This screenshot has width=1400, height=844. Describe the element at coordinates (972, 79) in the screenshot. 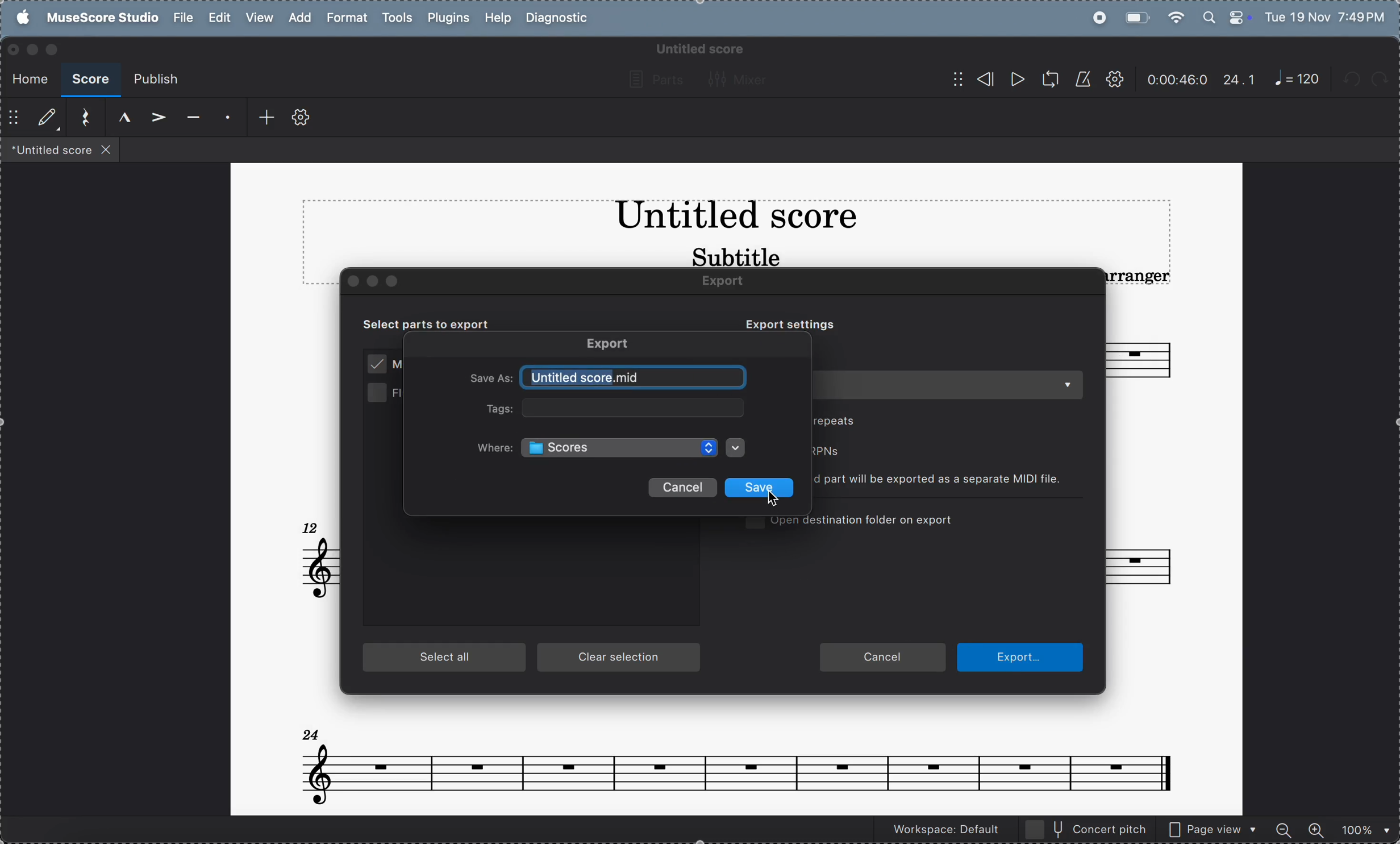

I see `rewind` at that location.